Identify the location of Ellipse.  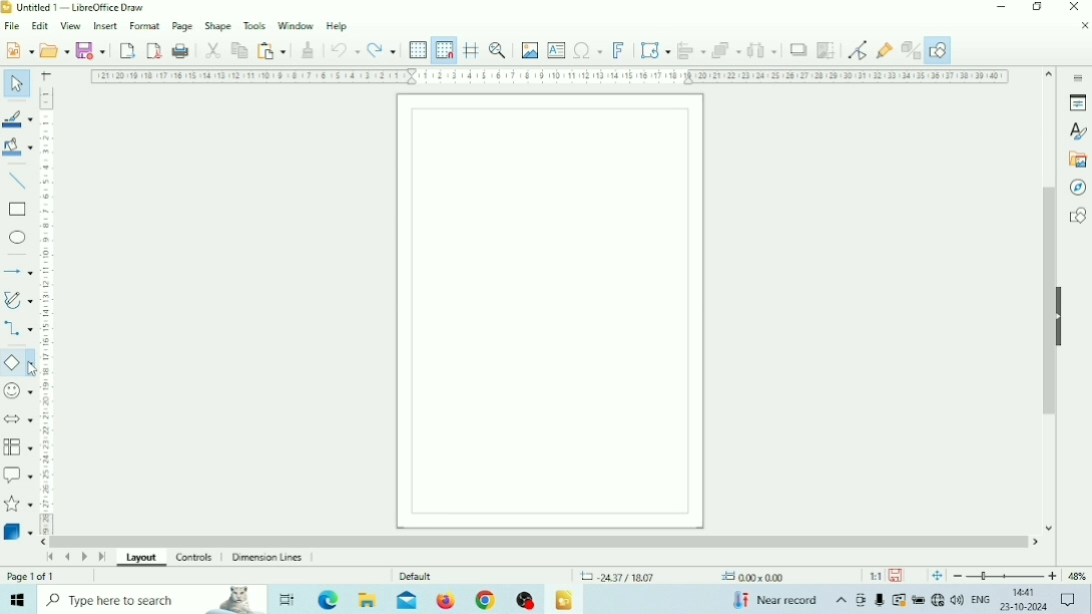
(17, 237).